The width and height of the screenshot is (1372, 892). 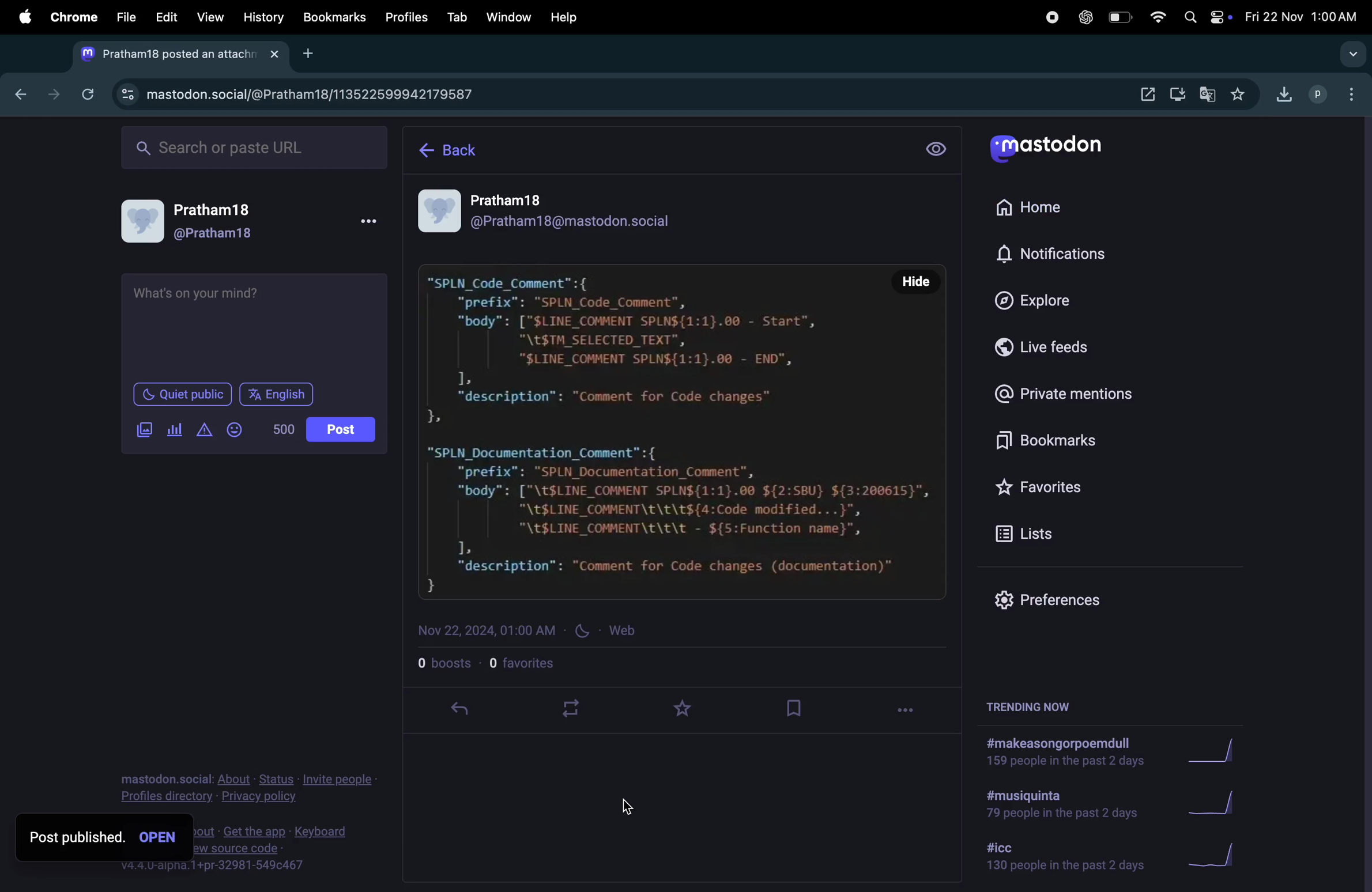 I want to click on Pratham18, so click(x=215, y=210).